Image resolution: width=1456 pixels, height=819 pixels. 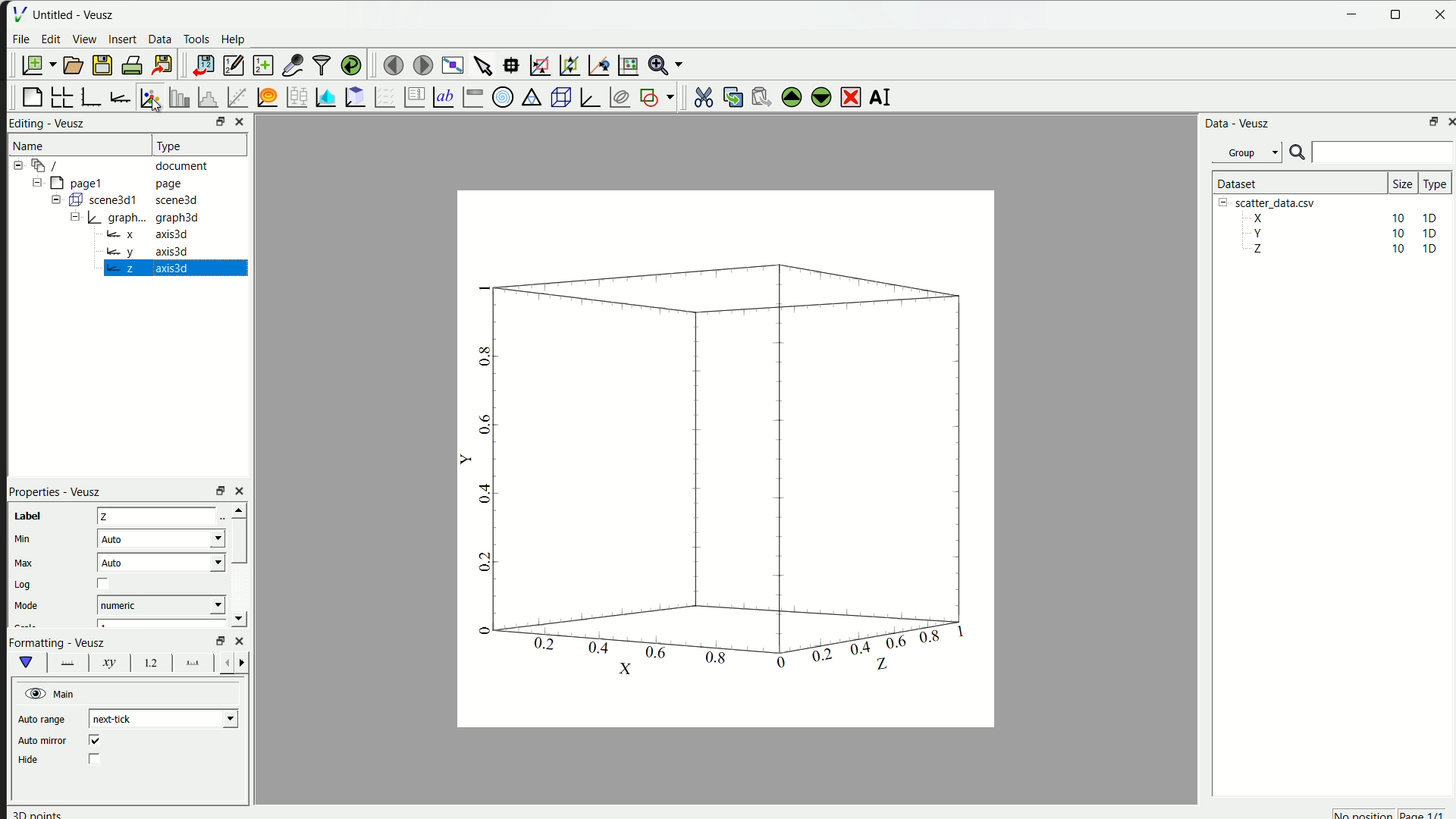 What do you see at coordinates (147, 98) in the screenshot?
I see `plot points` at bounding box center [147, 98].